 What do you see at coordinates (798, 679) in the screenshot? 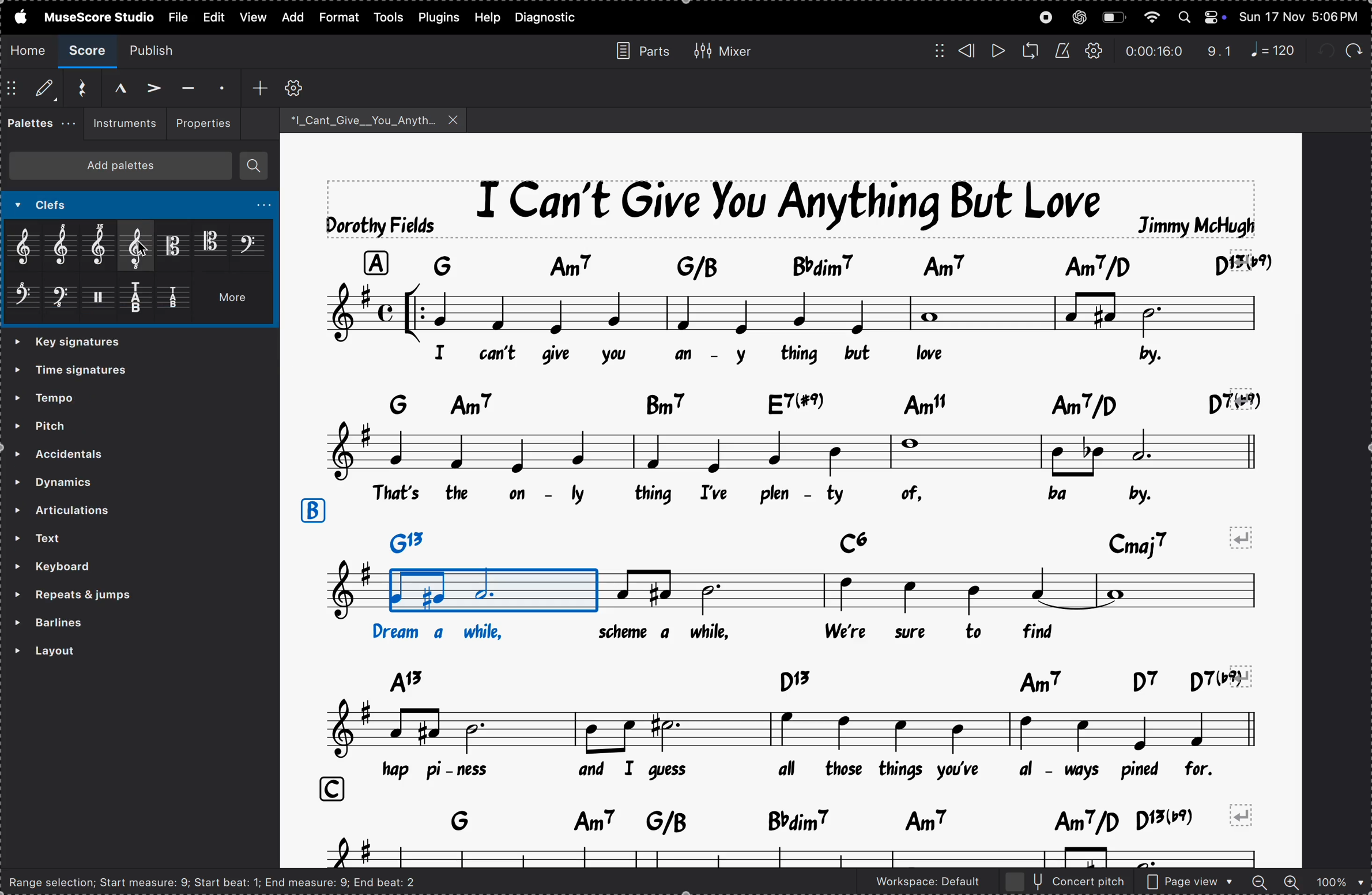
I see `key notes` at bounding box center [798, 679].